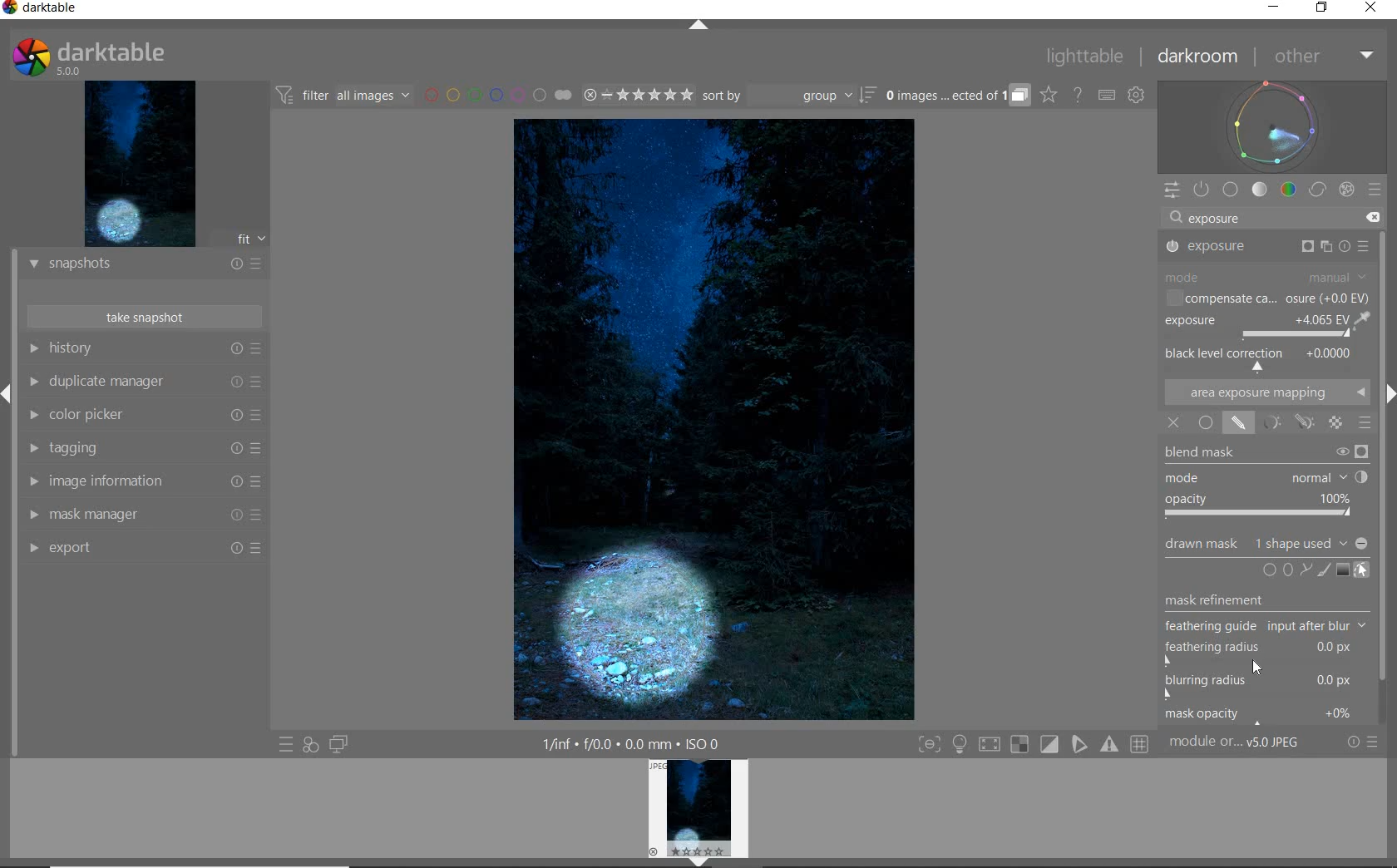  I want to click on mask opacity, so click(1264, 717).